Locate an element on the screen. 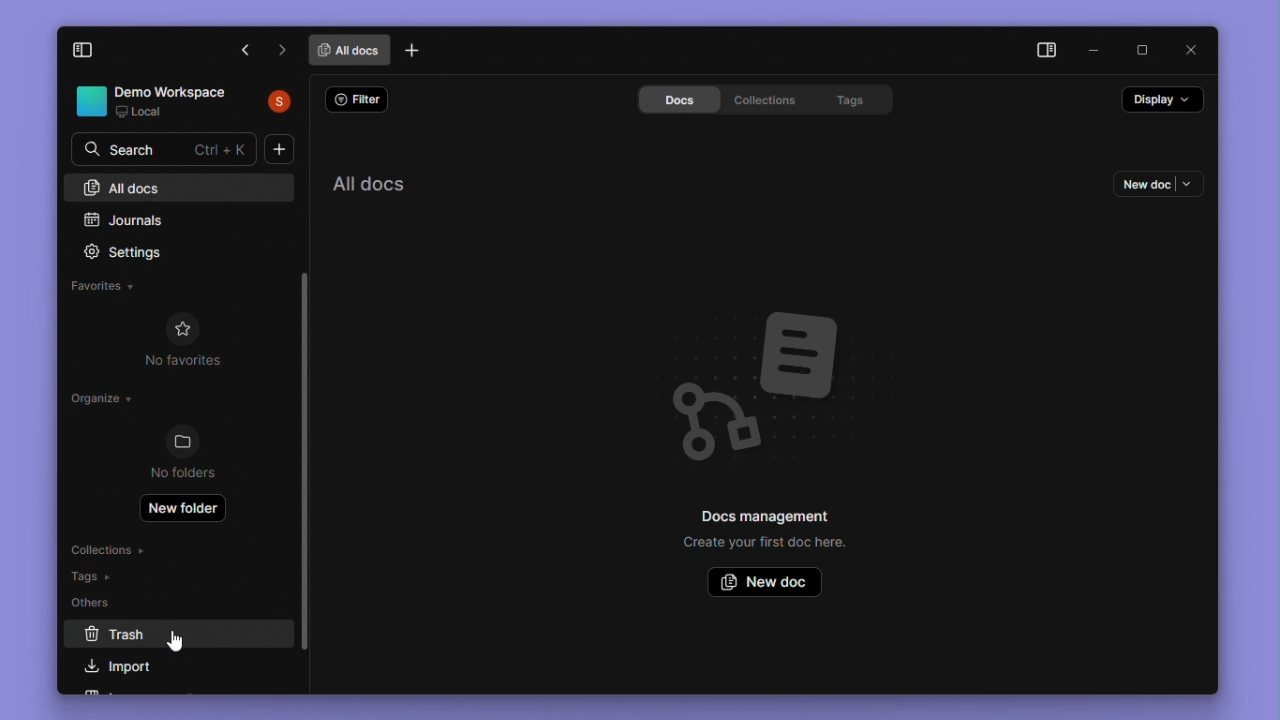  Tags is located at coordinates (98, 576).